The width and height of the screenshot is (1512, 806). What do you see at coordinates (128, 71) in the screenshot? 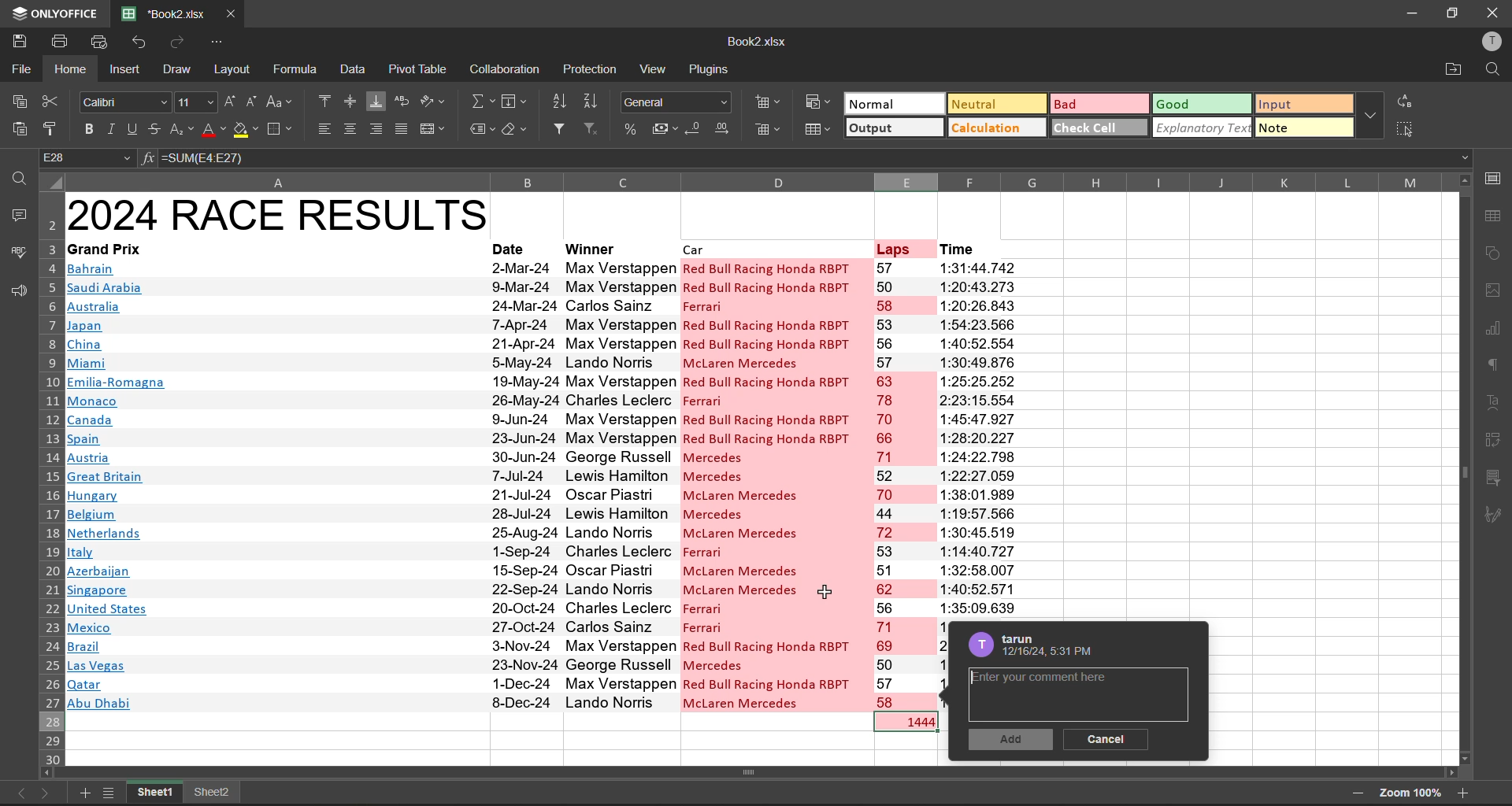
I see `insert` at bounding box center [128, 71].